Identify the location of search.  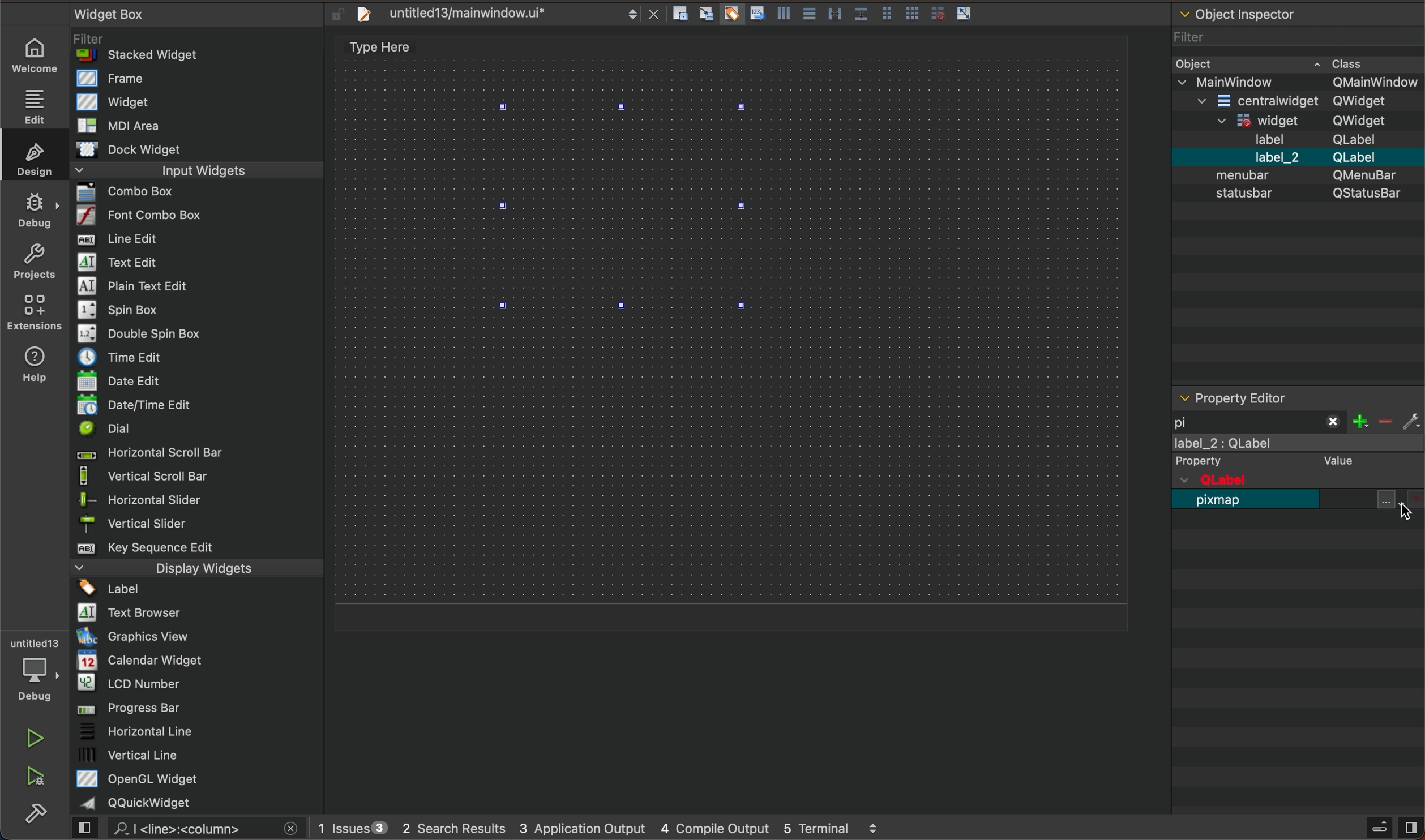
(192, 829).